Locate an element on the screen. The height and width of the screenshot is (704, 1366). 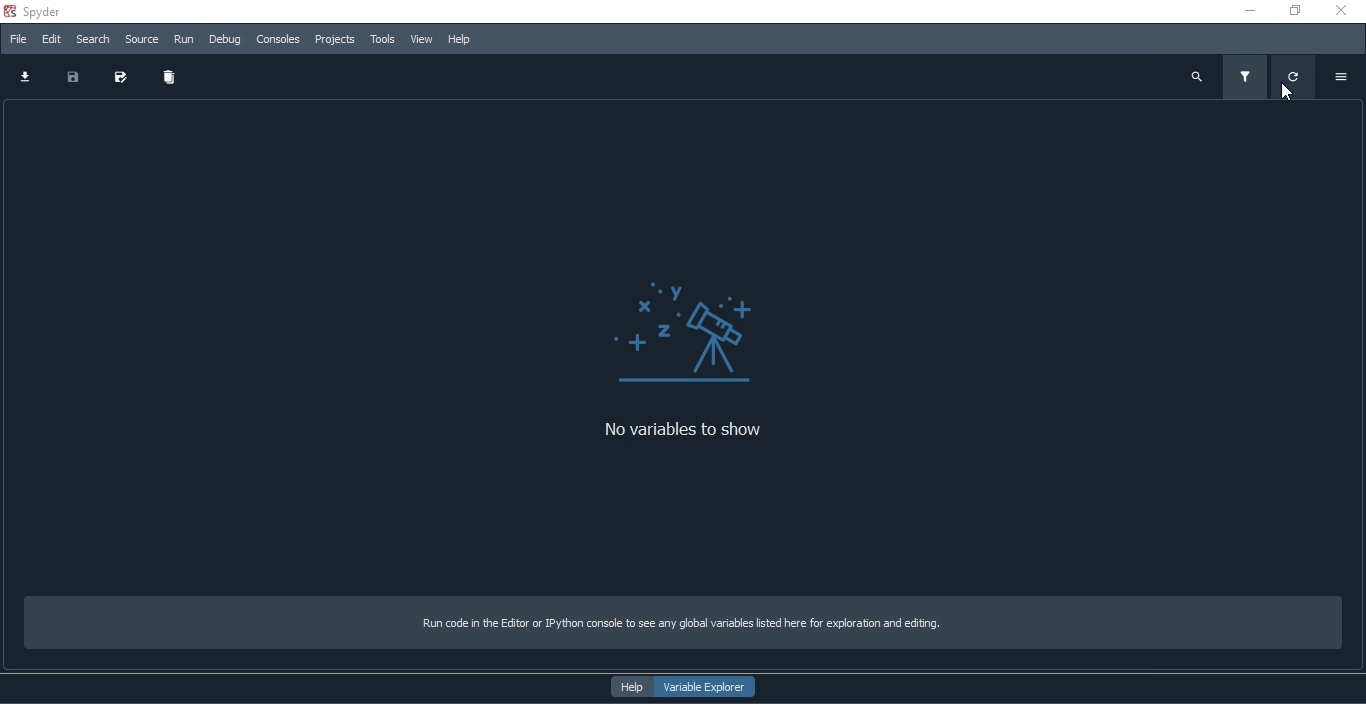
Debug is located at coordinates (225, 39).